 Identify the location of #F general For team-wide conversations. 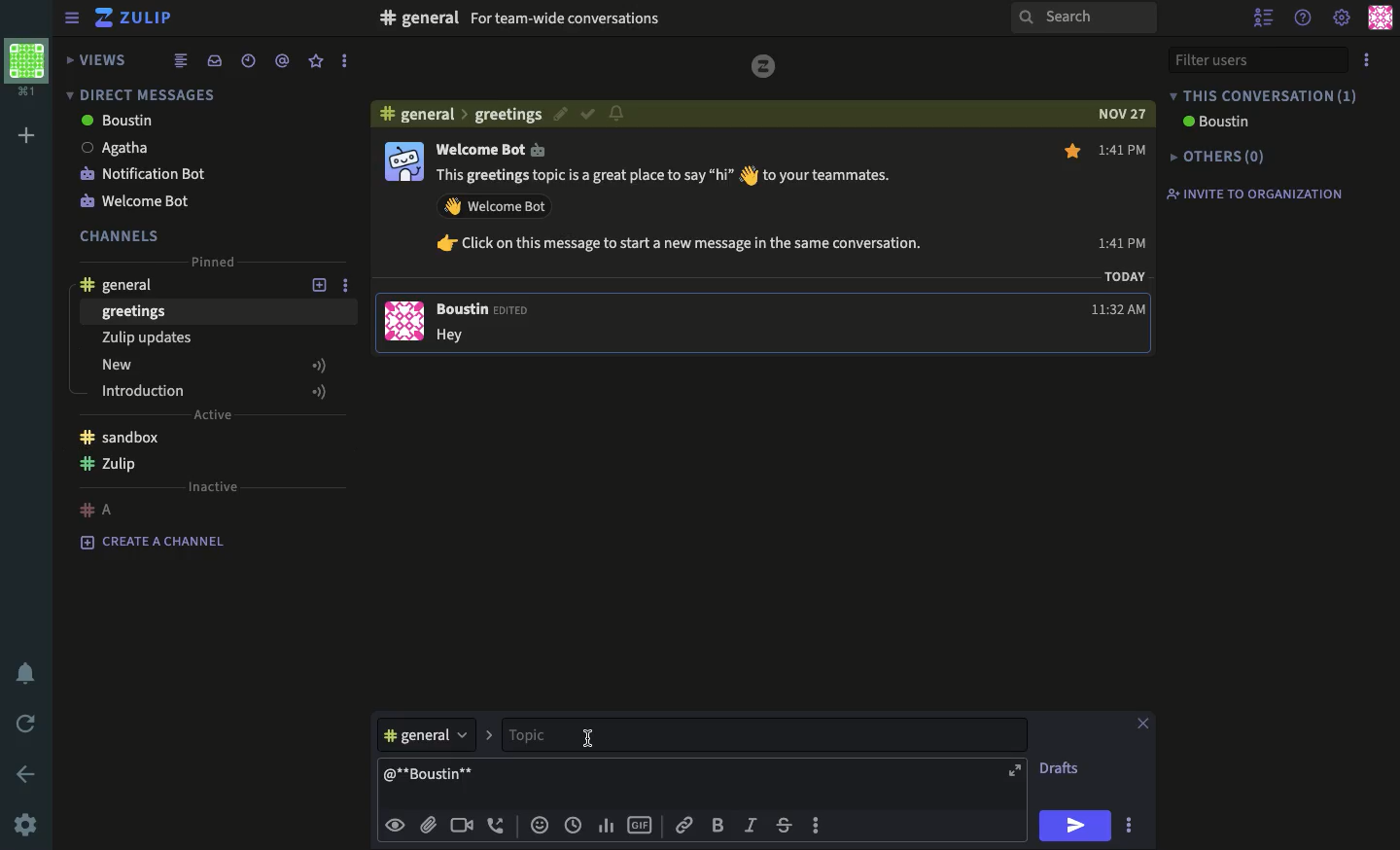
(607, 17).